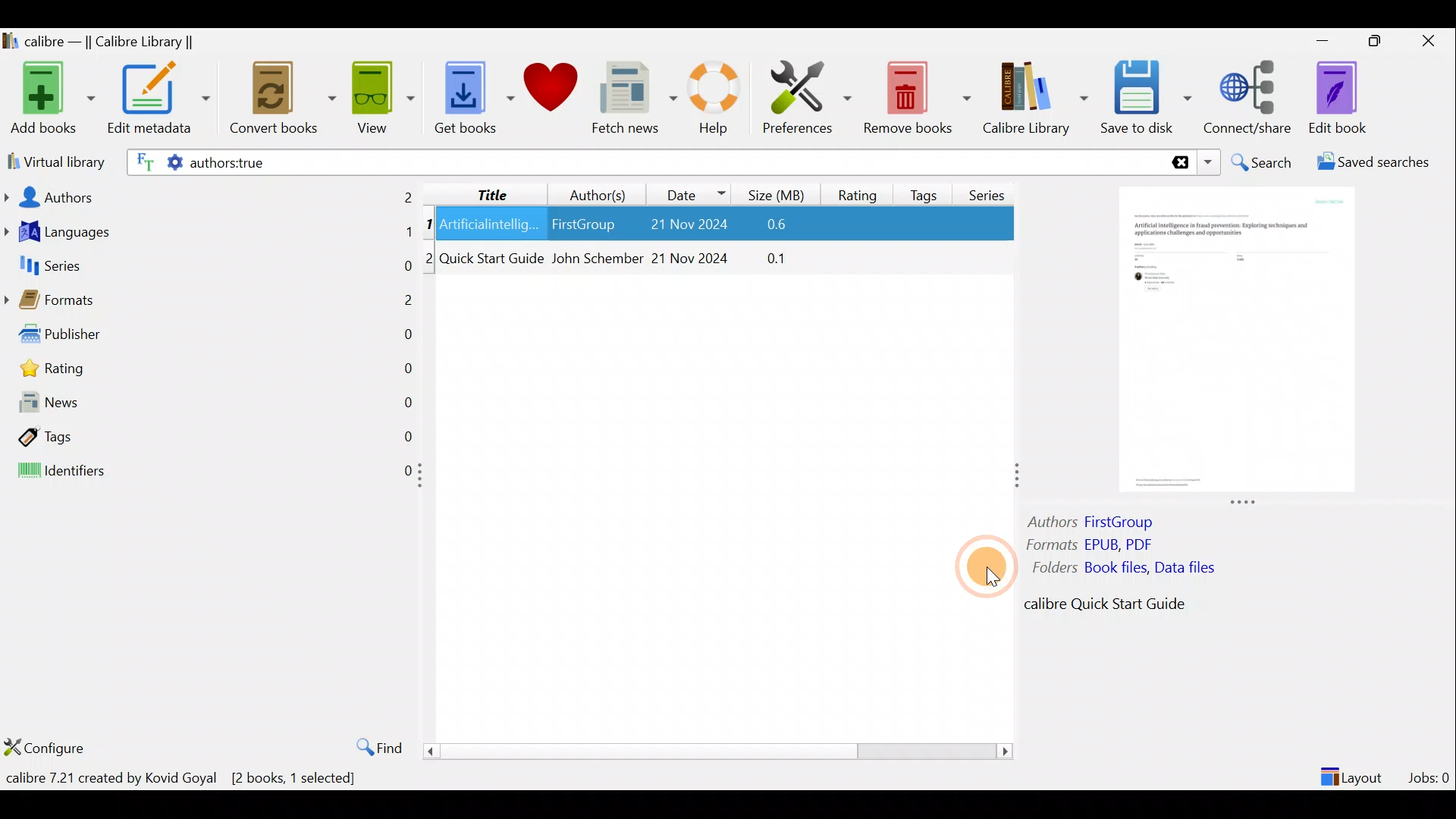 The image size is (1456, 819). I want to click on News, so click(209, 406).